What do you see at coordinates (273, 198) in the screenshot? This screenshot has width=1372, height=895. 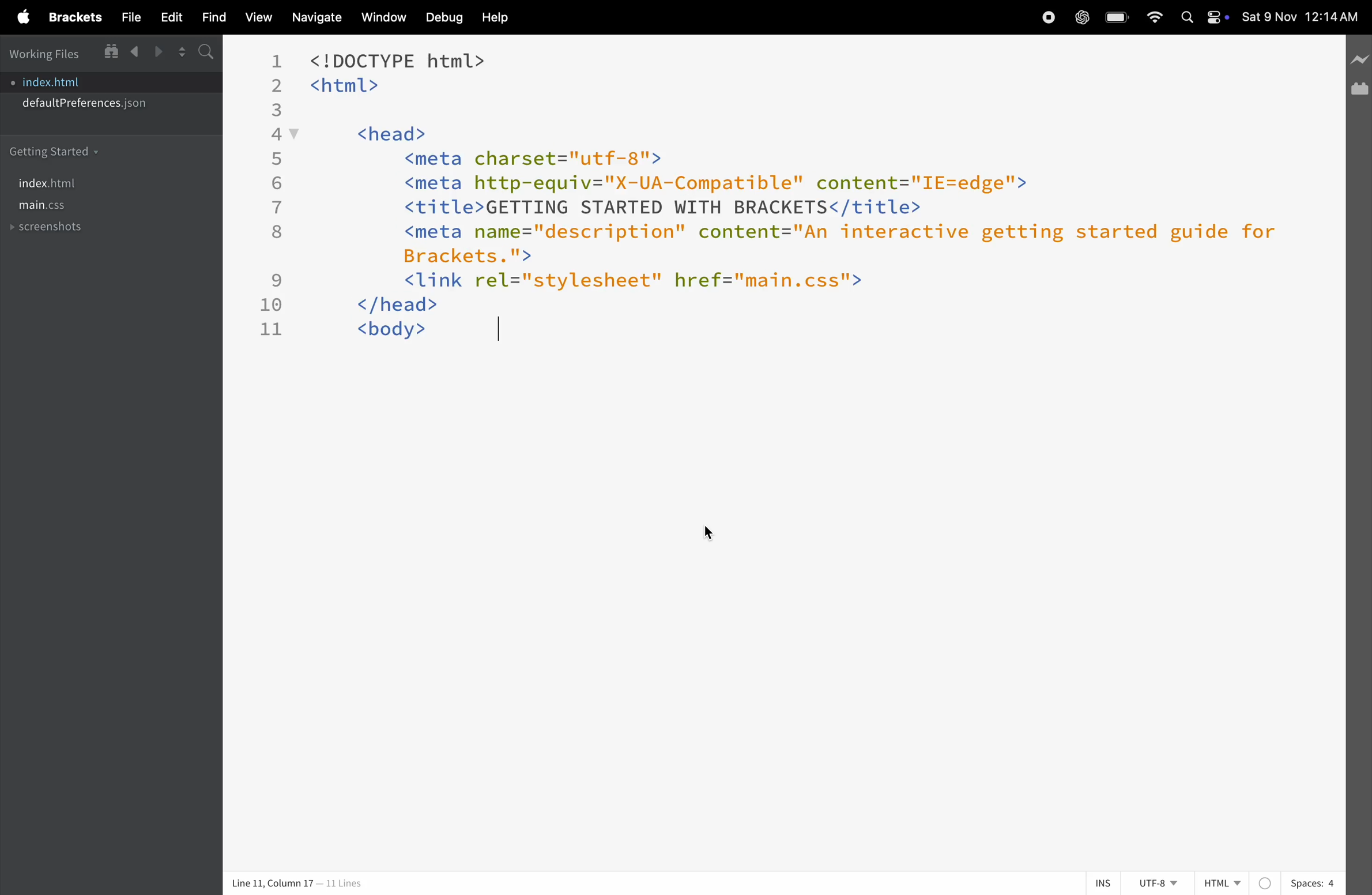 I see `line number` at bounding box center [273, 198].